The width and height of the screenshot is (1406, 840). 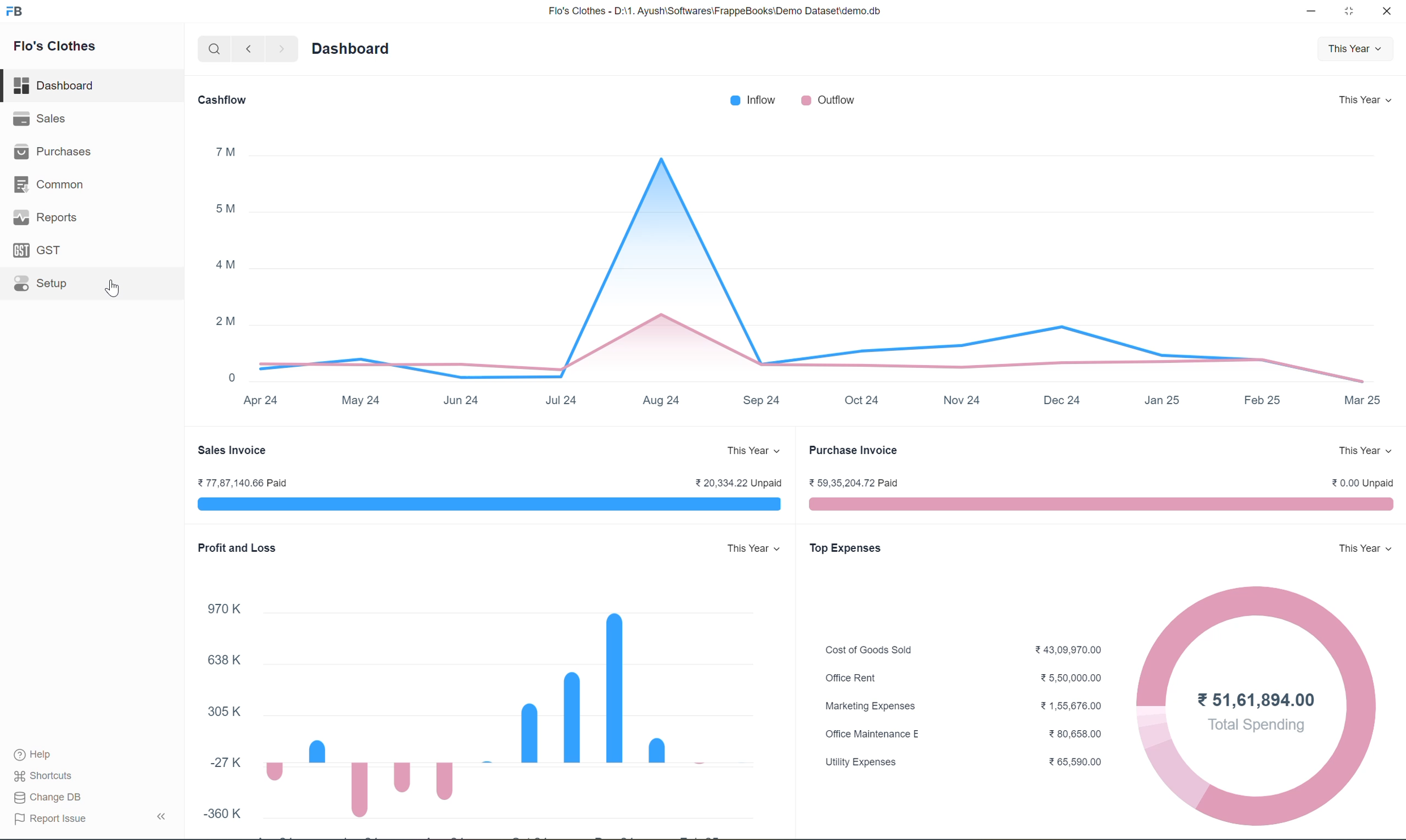 What do you see at coordinates (49, 818) in the screenshot?
I see `Report Issue` at bounding box center [49, 818].